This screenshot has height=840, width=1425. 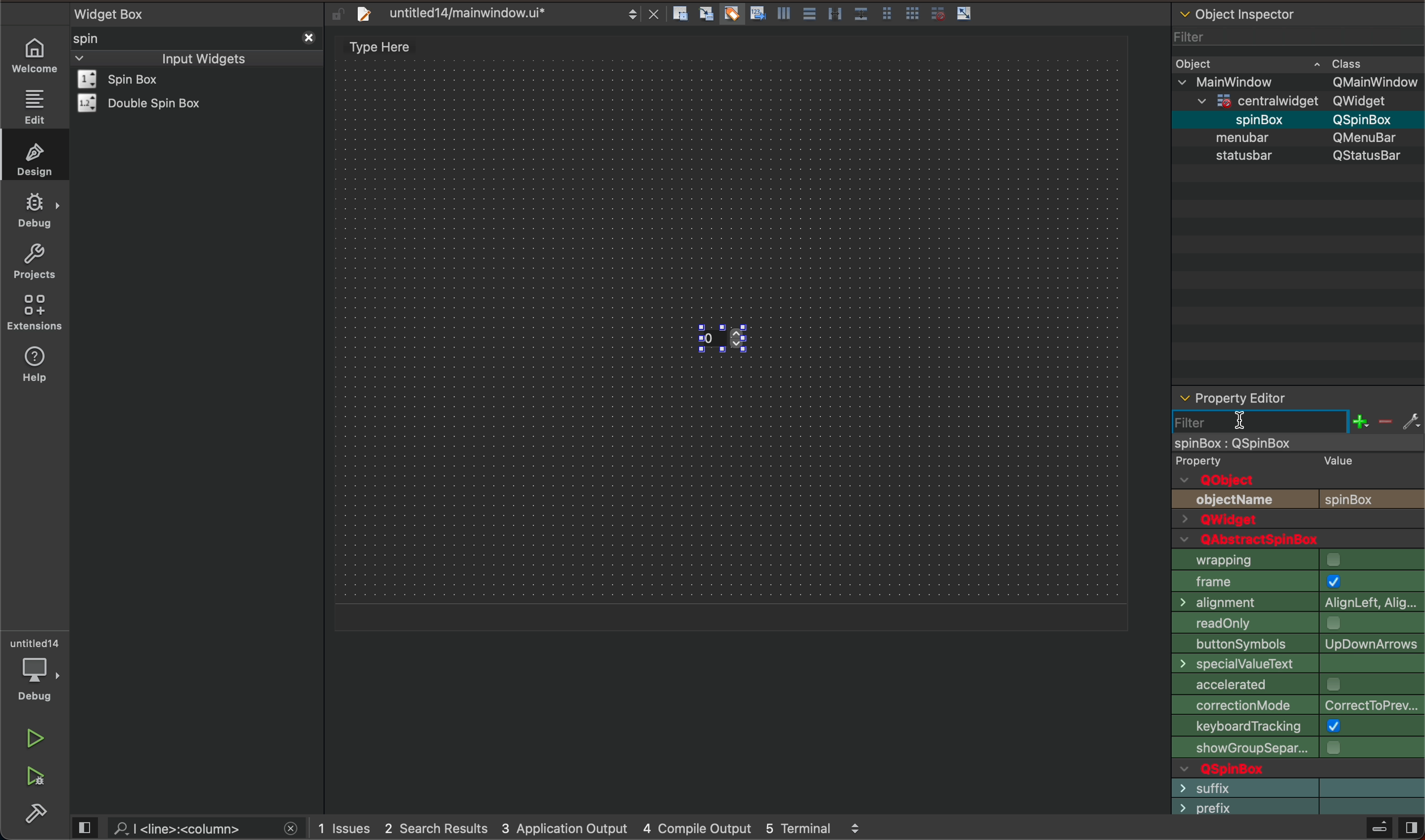 I want to click on object selected, so click(x=1296, y=442).